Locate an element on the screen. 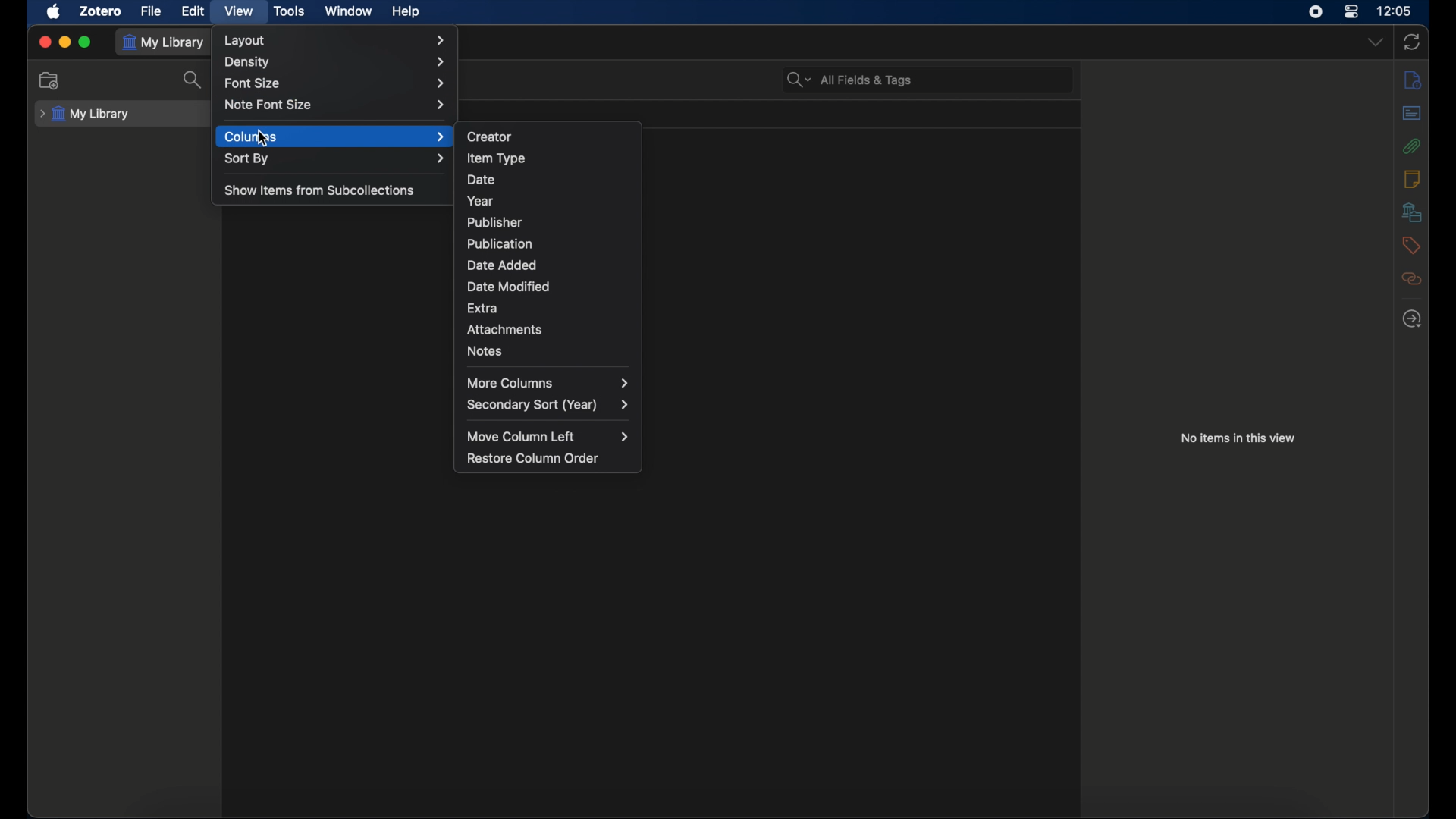  search is located at coordinates (195, 80).